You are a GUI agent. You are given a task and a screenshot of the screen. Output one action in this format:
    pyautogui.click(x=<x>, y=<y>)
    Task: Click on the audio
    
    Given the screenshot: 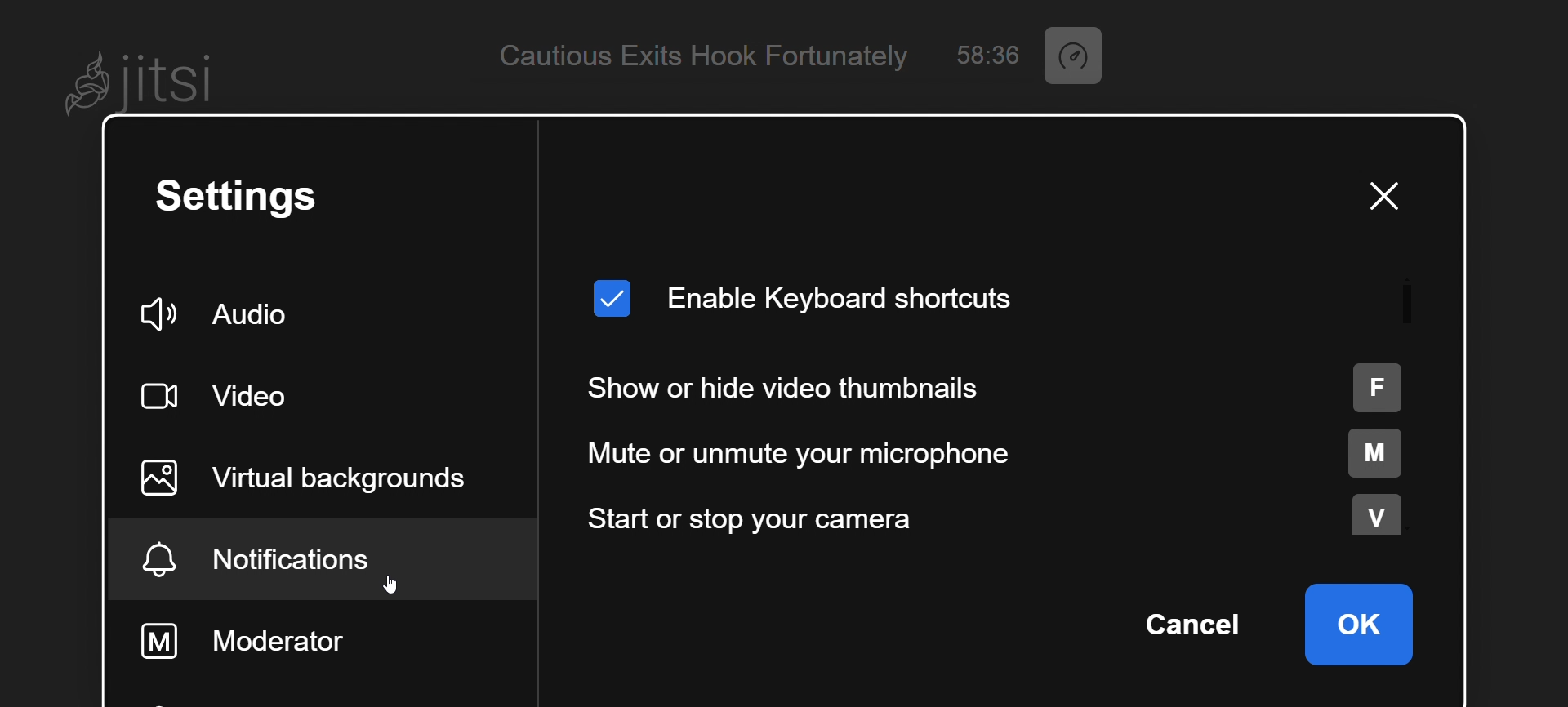 What is the action you would take?
    pyautogui.click(x=225, y=308)
    